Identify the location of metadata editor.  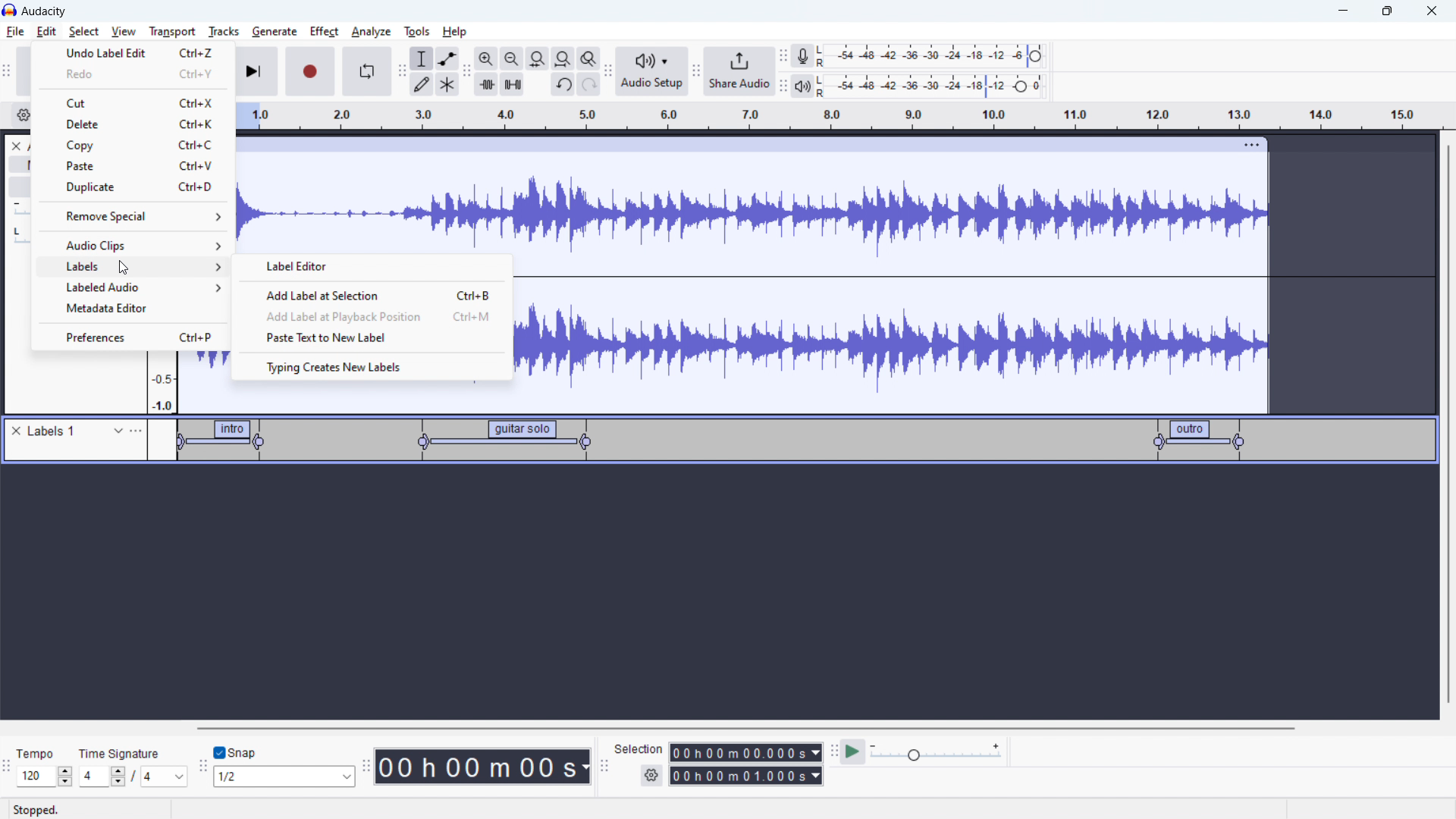
(132, 310).